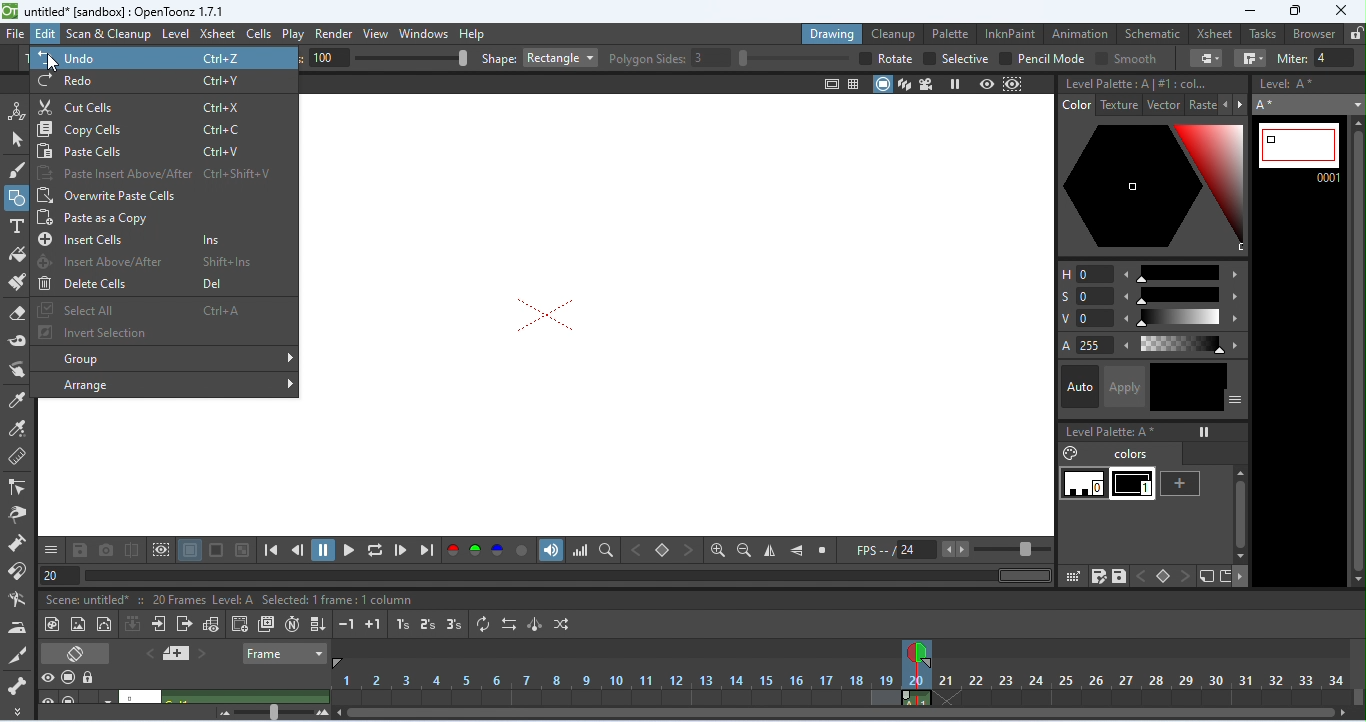  Describe the element at coordinates (161, 357) in the screenshot. I see `group` at that location.